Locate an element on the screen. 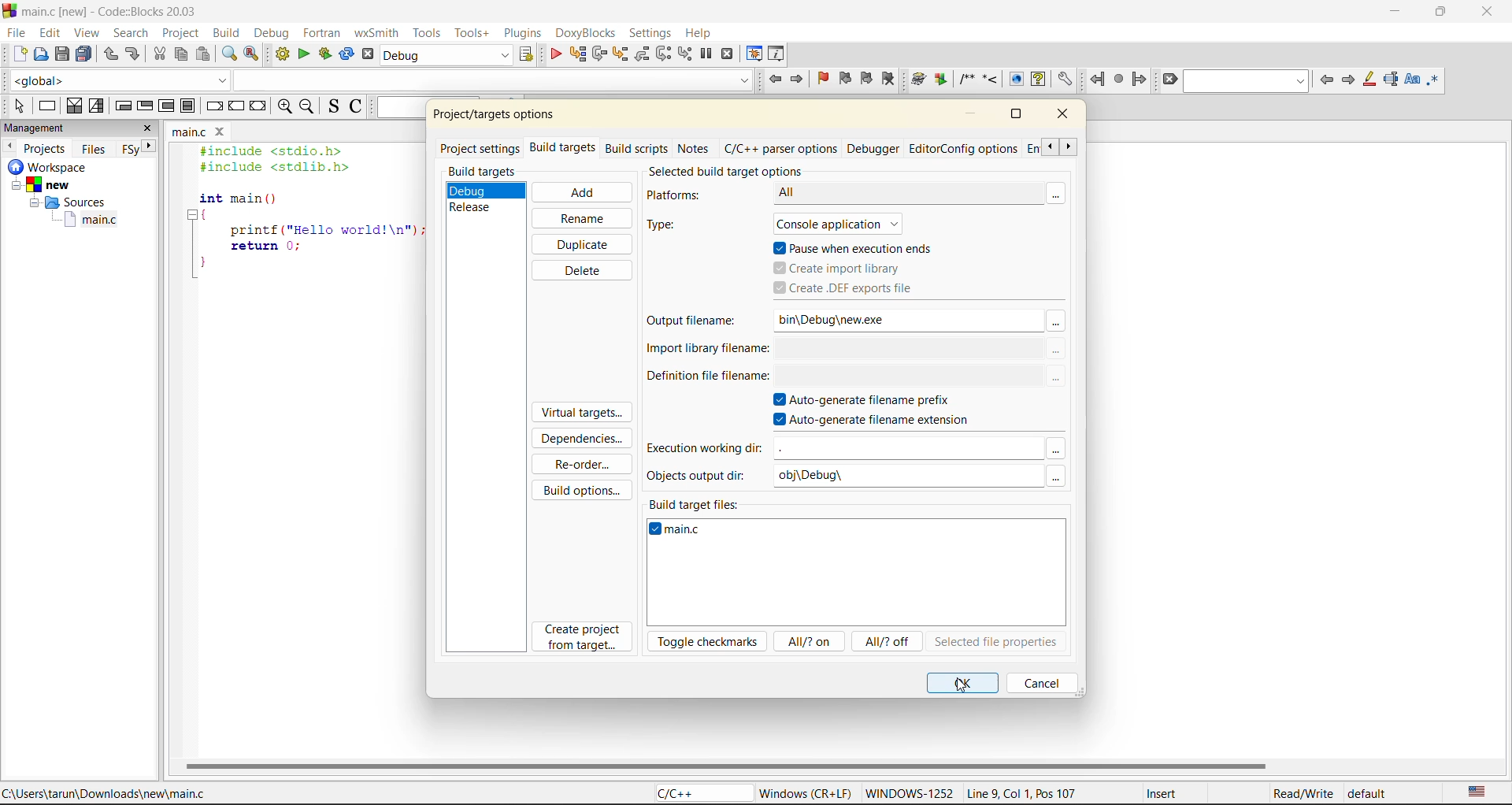  jump back is located at coordinates (774, 80).